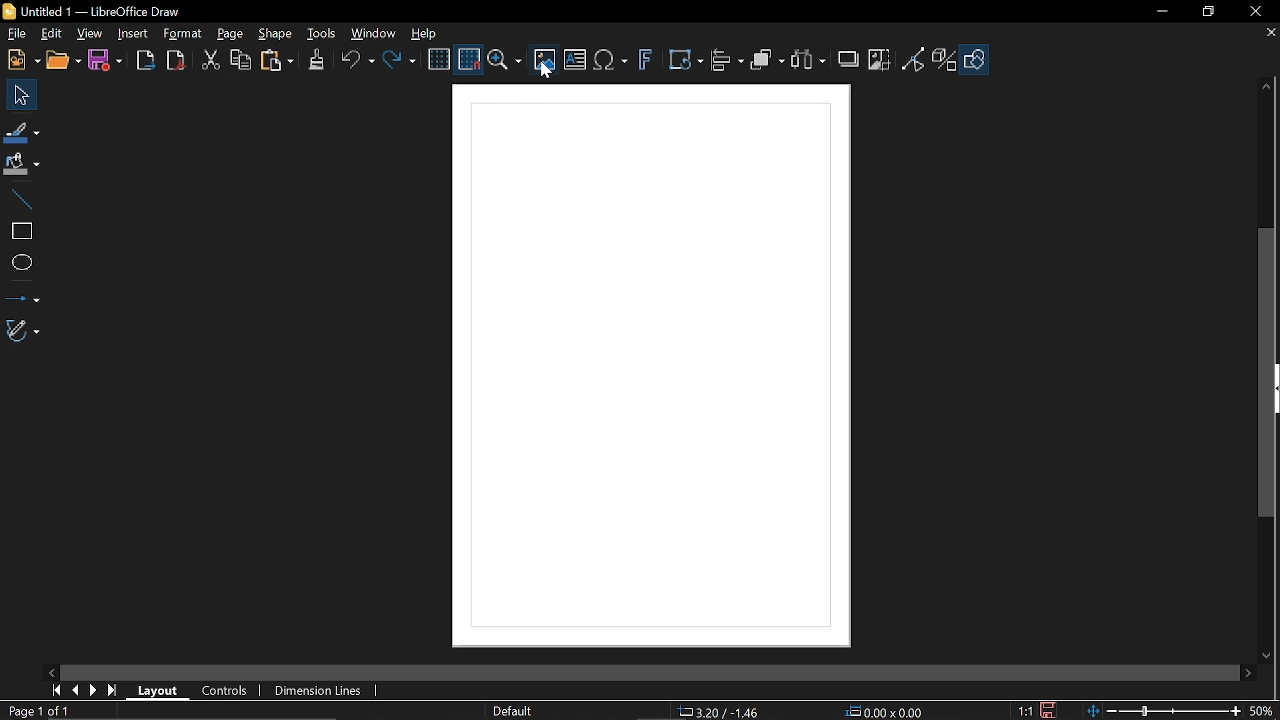  What do you see at coordinates (1048, 710) in the screenshot?
I see `Click to save` at bounding box center [1048, 710].